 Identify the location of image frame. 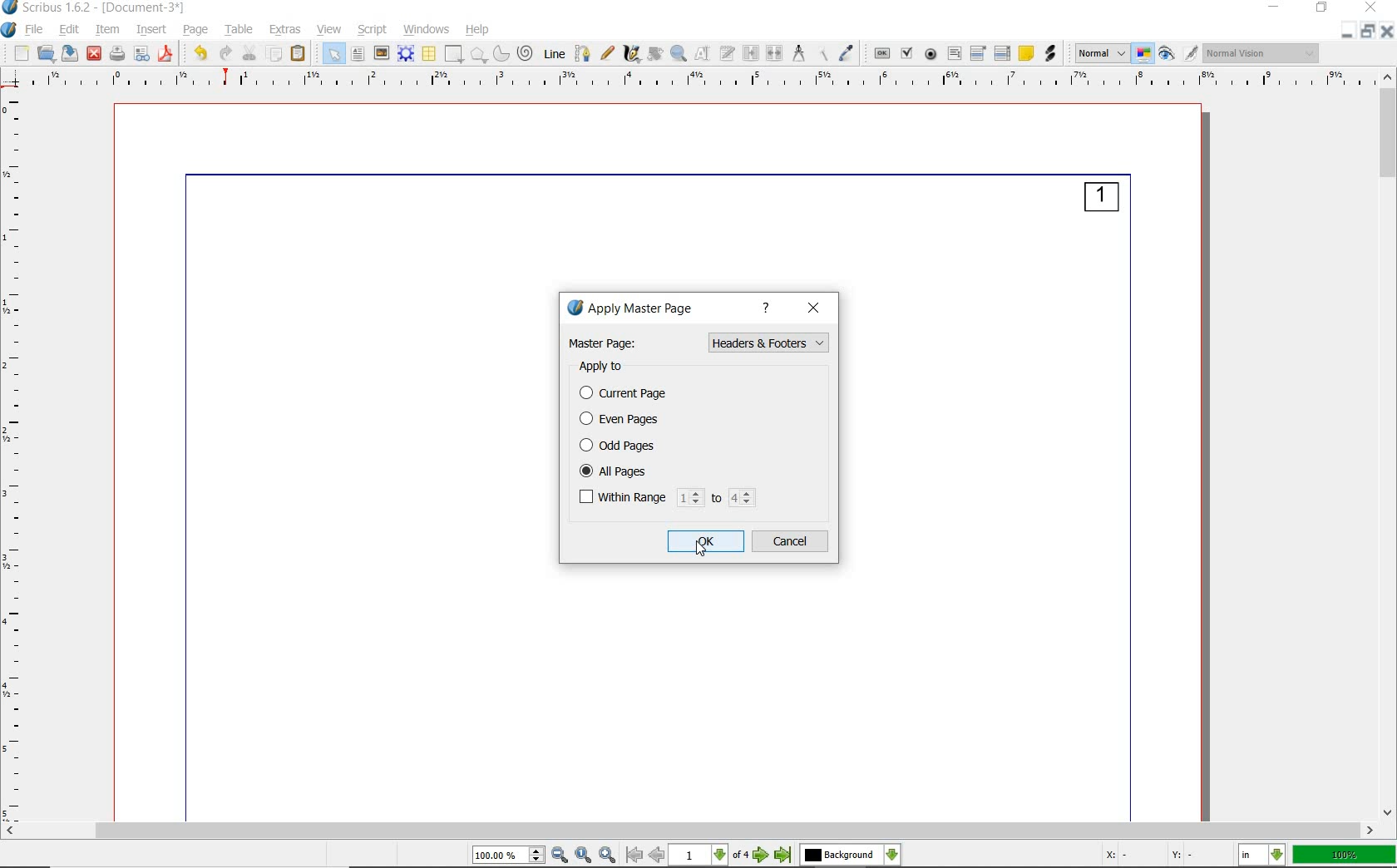
(381, 55).